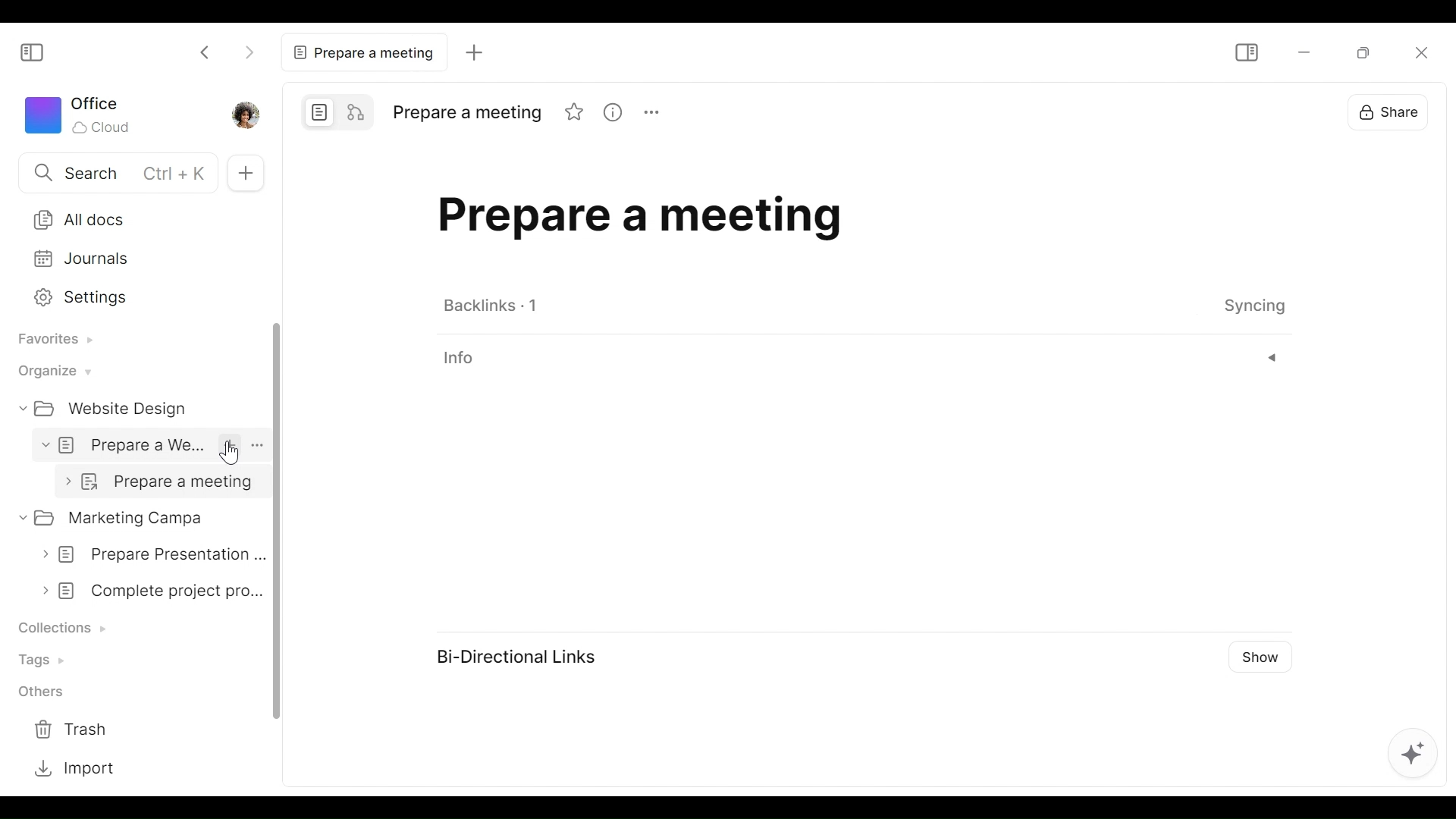 The height and width of the screenshot is (819, 1456). What do you see at coordinates (66, 629) in the screenshot?
I see `Collections` at bounding box center [66, 629].